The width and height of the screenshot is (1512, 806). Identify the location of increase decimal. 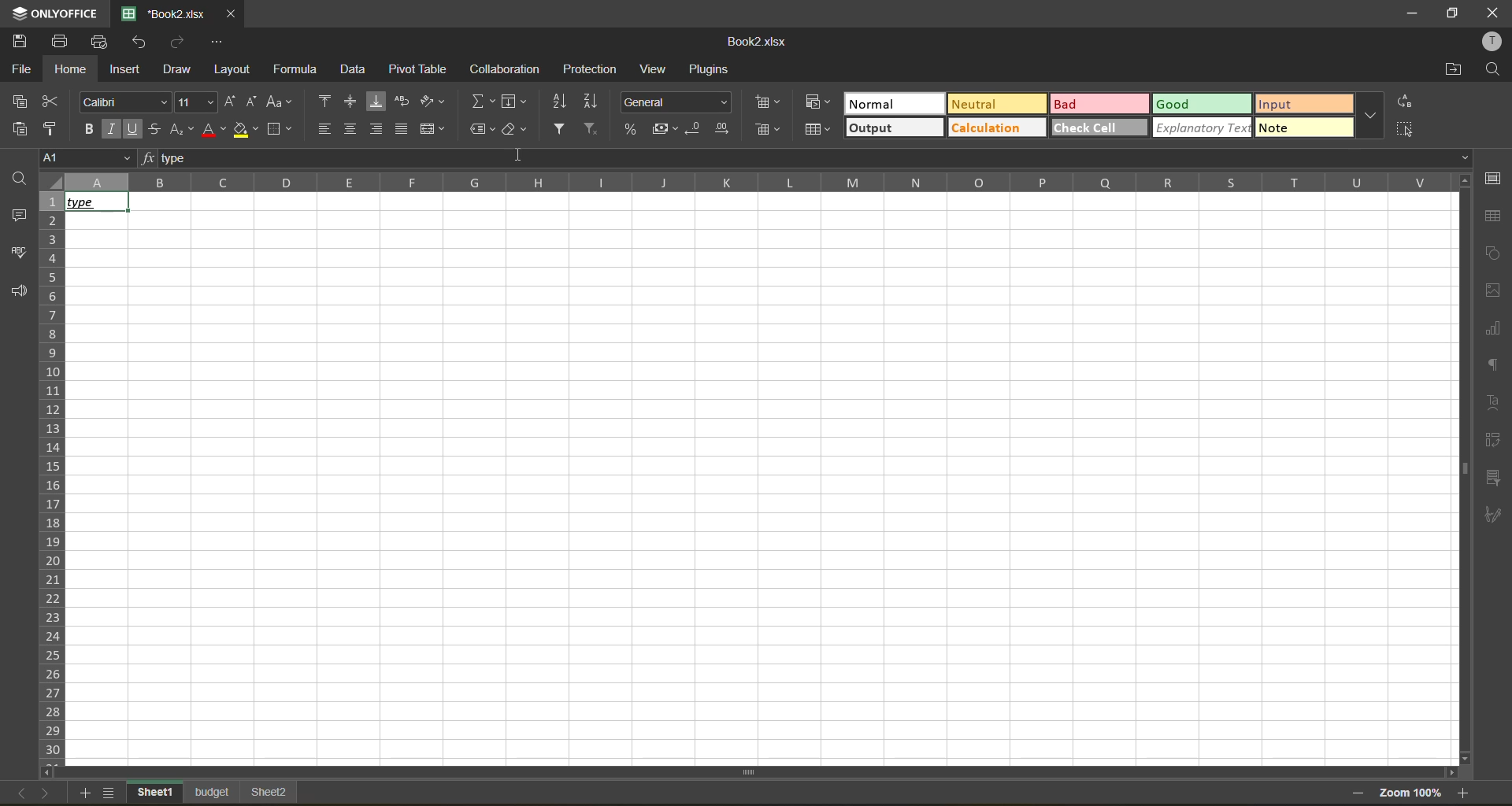
(724, 129).